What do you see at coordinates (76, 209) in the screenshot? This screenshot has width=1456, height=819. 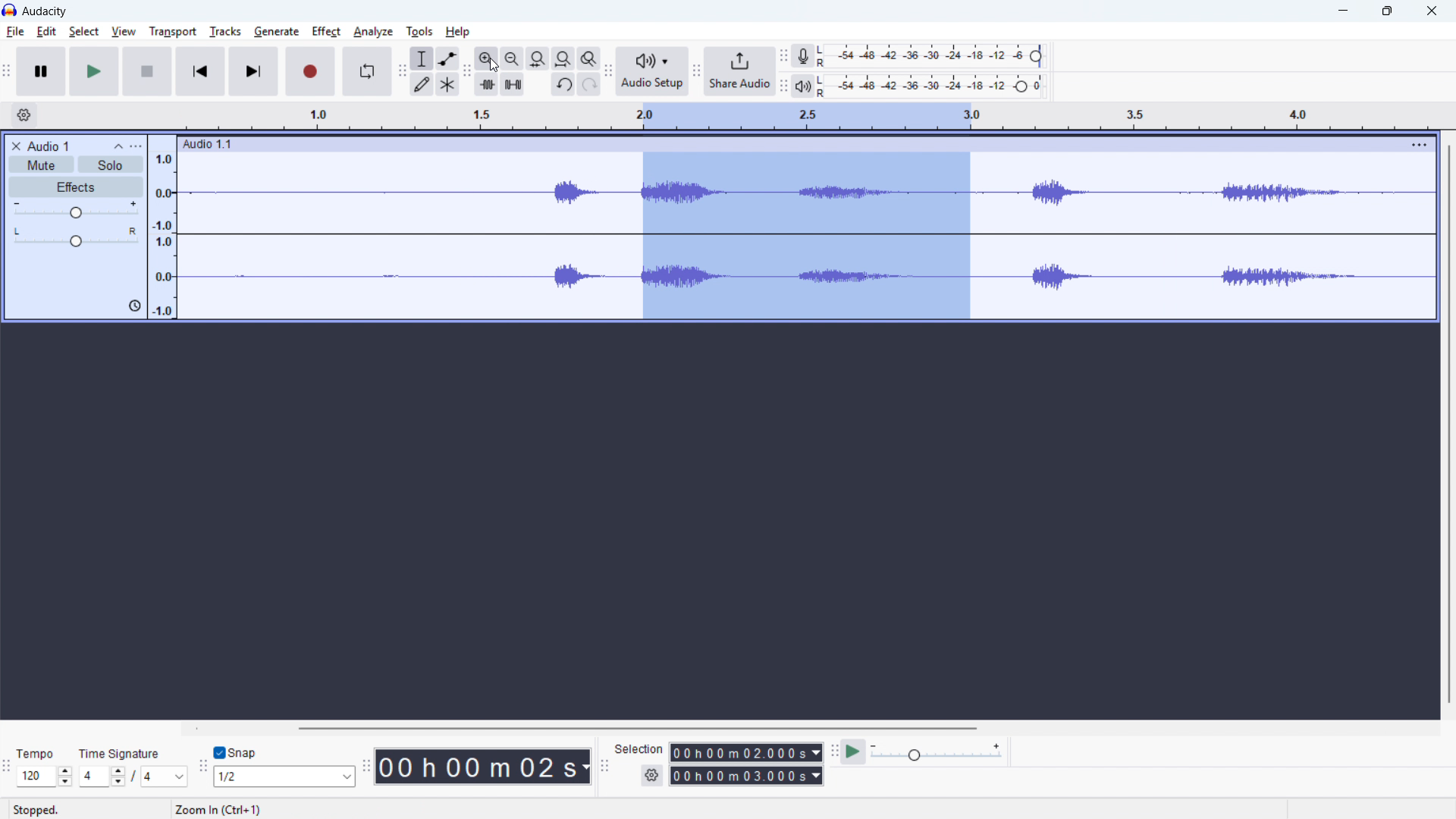 I see `Gain` at bounding box center [76, 209].